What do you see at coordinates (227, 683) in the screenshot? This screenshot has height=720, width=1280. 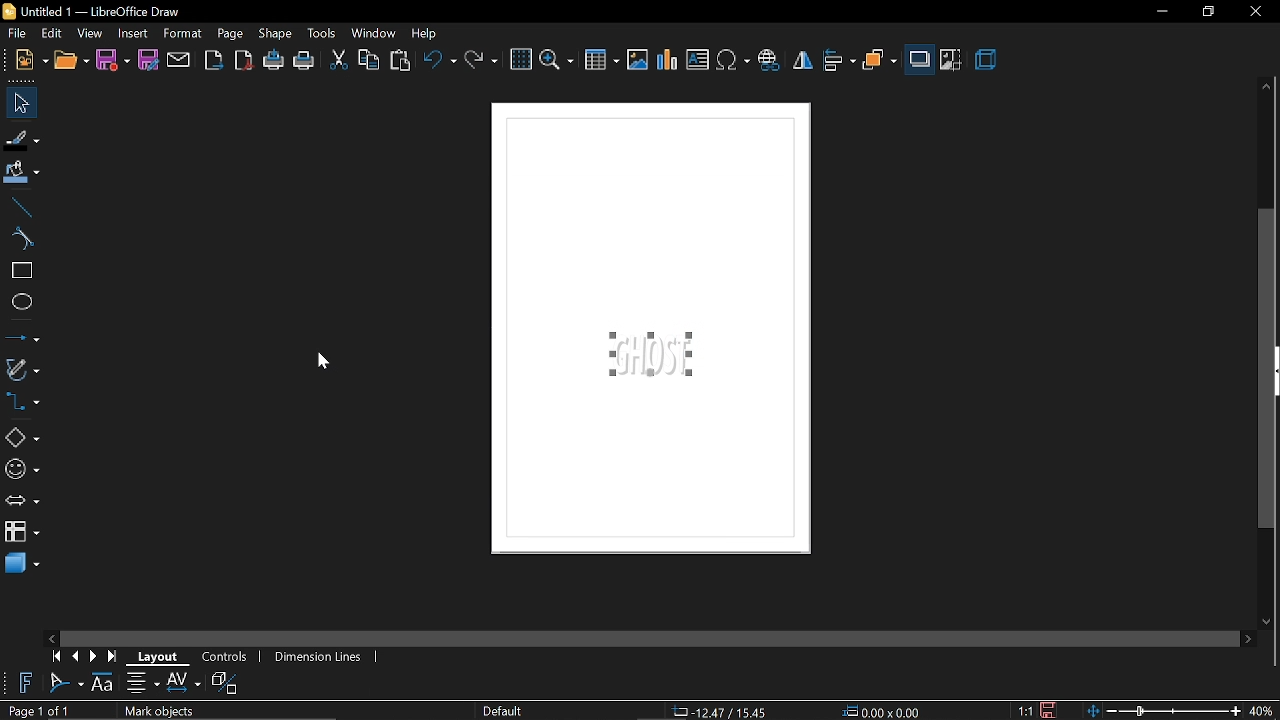 I see `toggle extrusion` at bounding box center [227, 683].